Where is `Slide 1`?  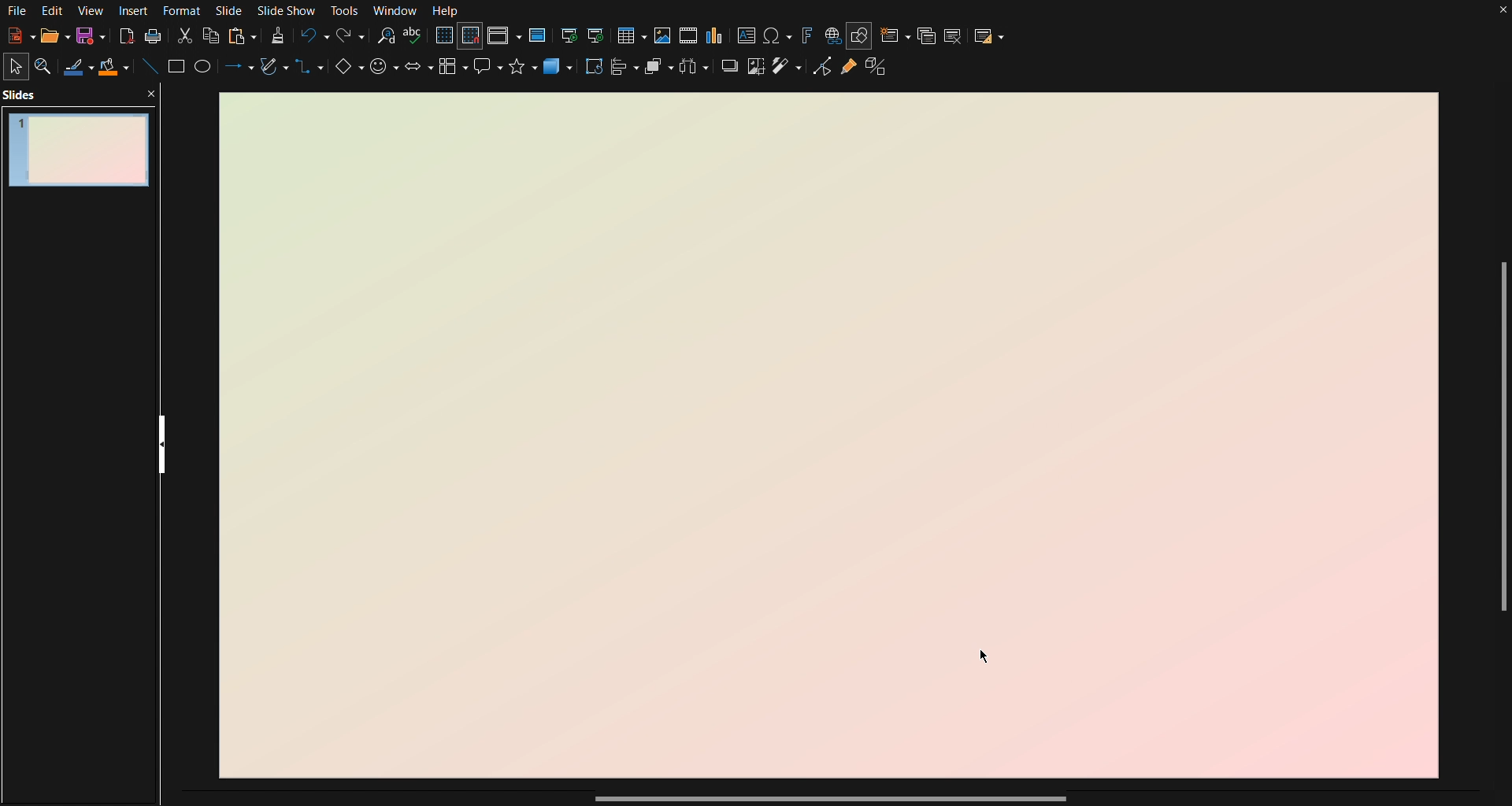
Slide 1 is located at coordinates (76, 147).